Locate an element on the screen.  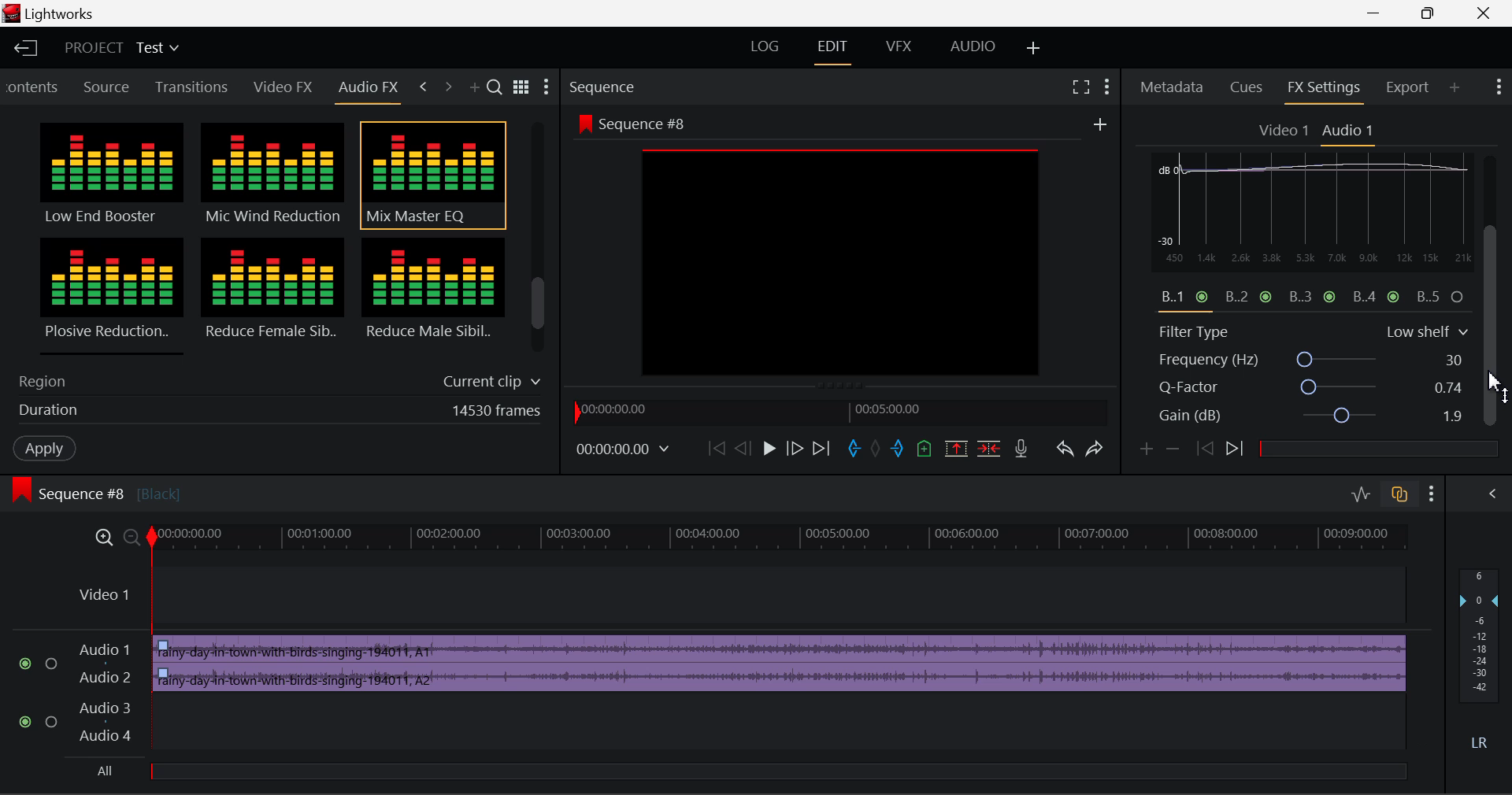
Restore Down is located at coordinates (1380, 13).